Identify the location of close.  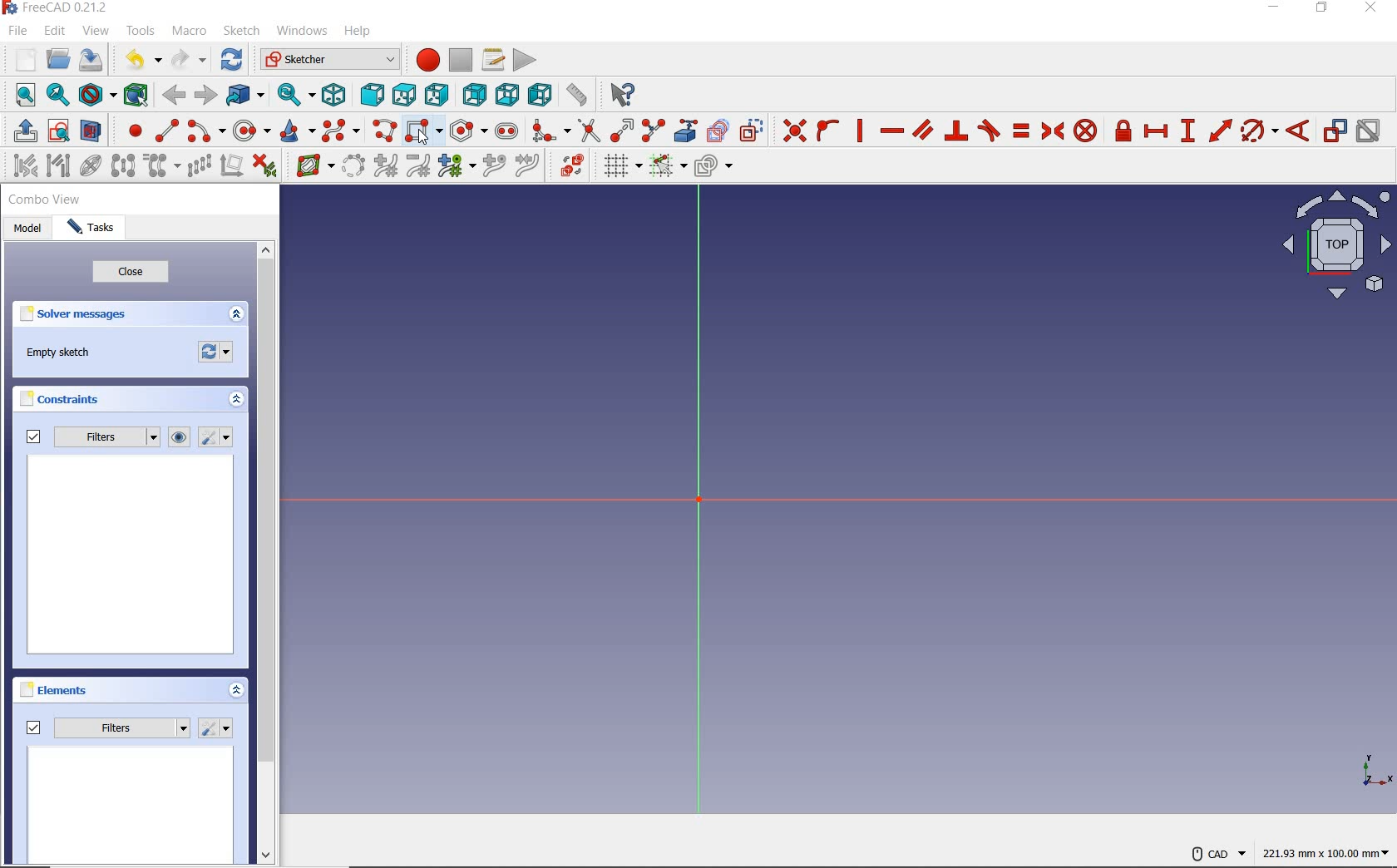
(131, 274).